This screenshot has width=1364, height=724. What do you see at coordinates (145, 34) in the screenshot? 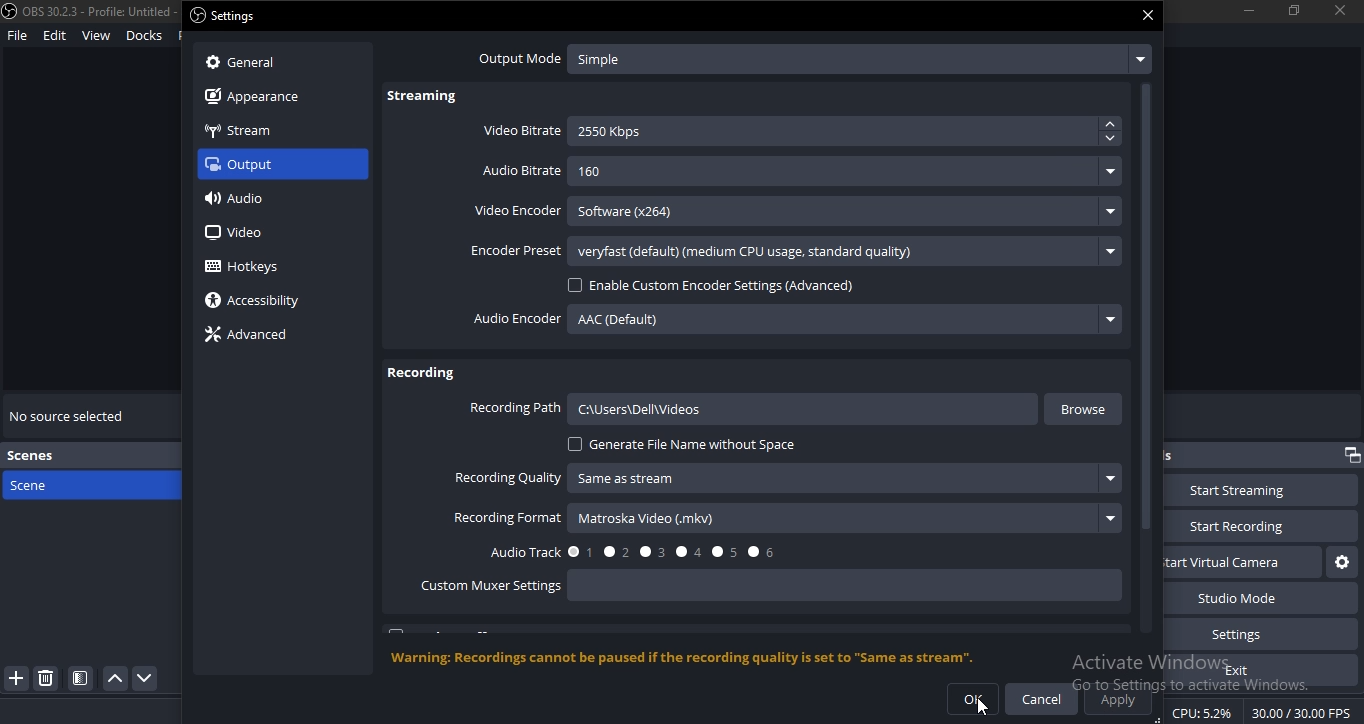
I see `docks` at bounding box center [145, 34].